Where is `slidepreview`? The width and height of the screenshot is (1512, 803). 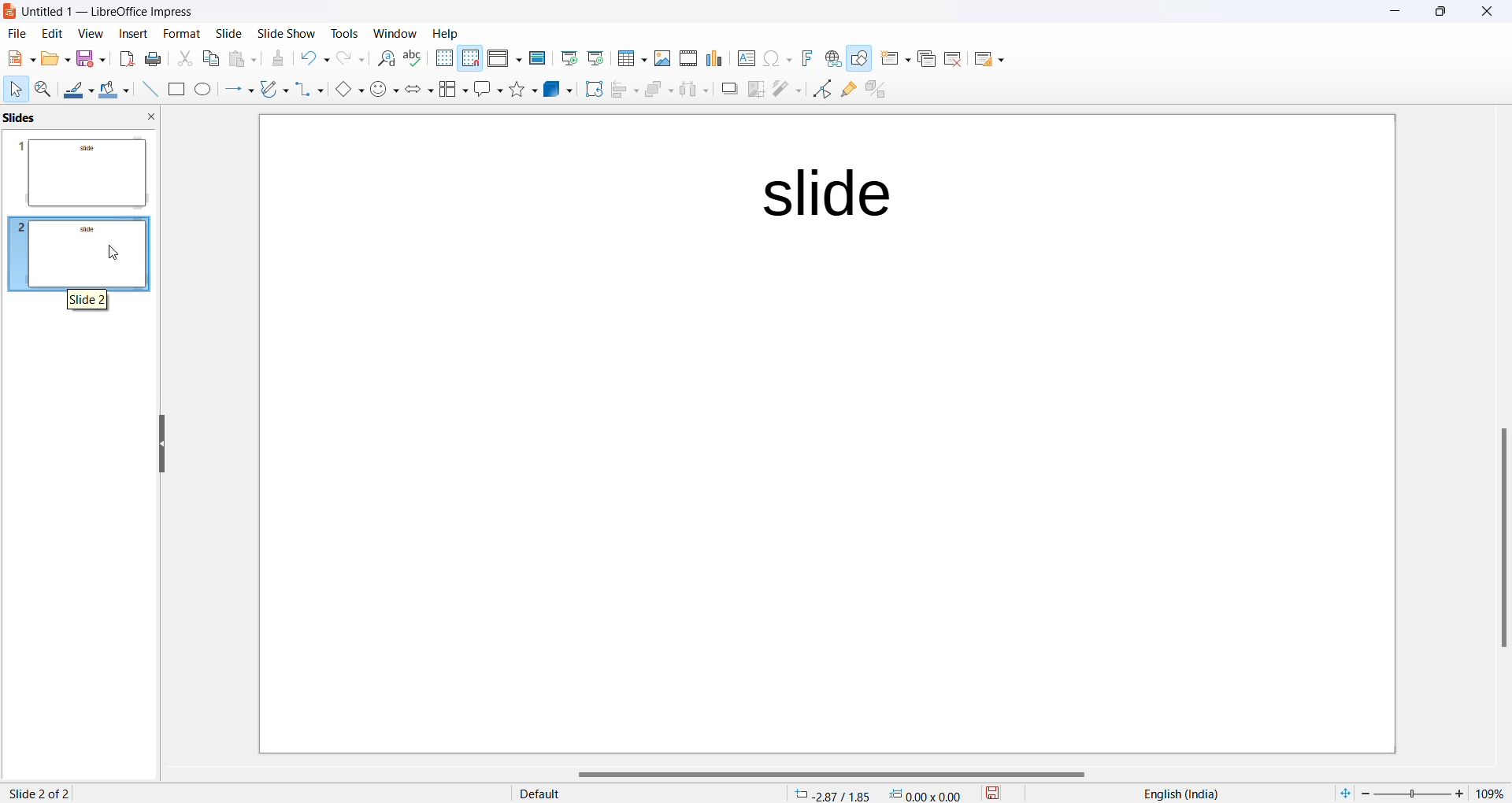
slidepreview is located at coordinates (83, 250).